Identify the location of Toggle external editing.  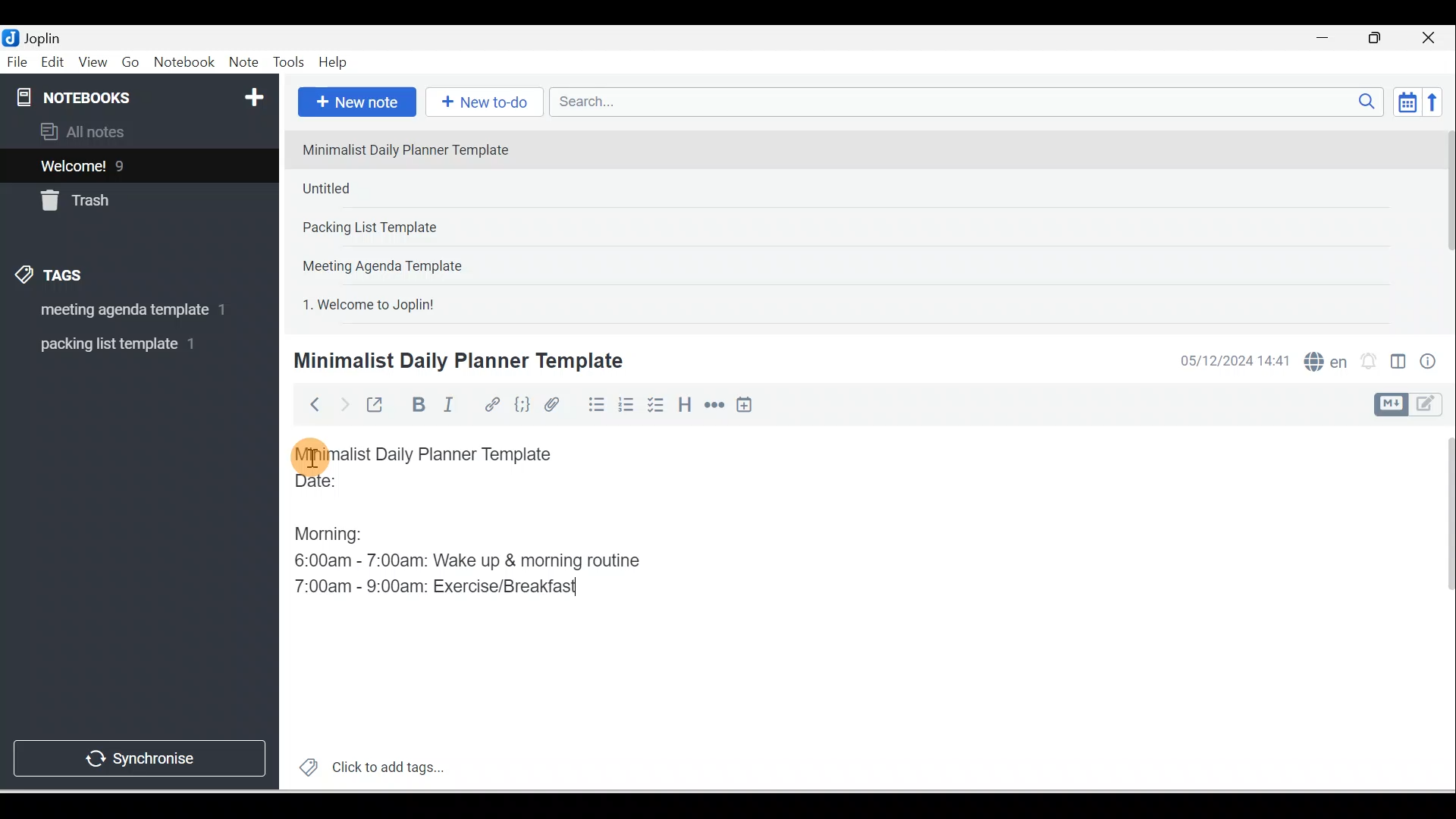
(377, 408).